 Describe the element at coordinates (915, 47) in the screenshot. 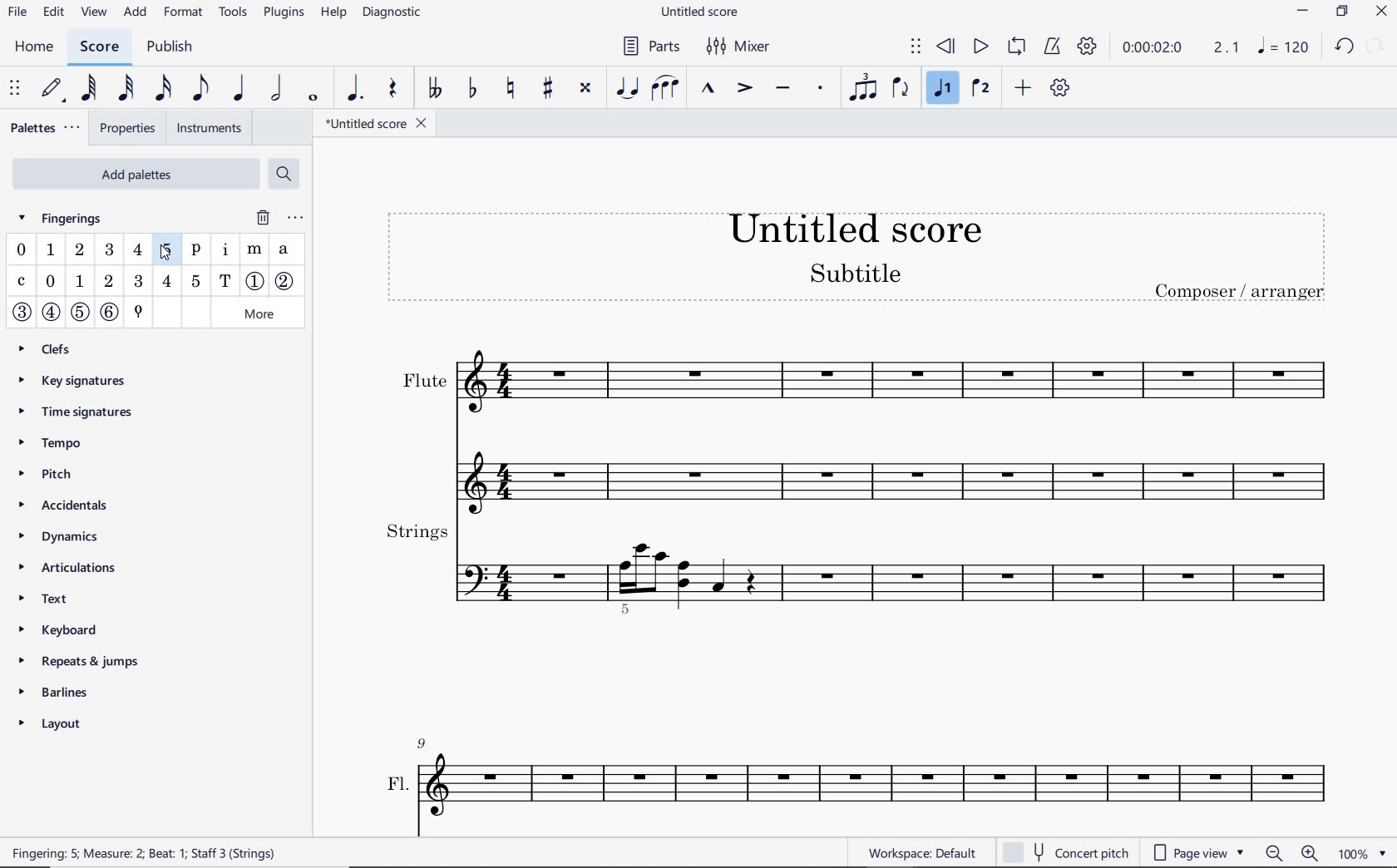

I see `select to move` at that location.